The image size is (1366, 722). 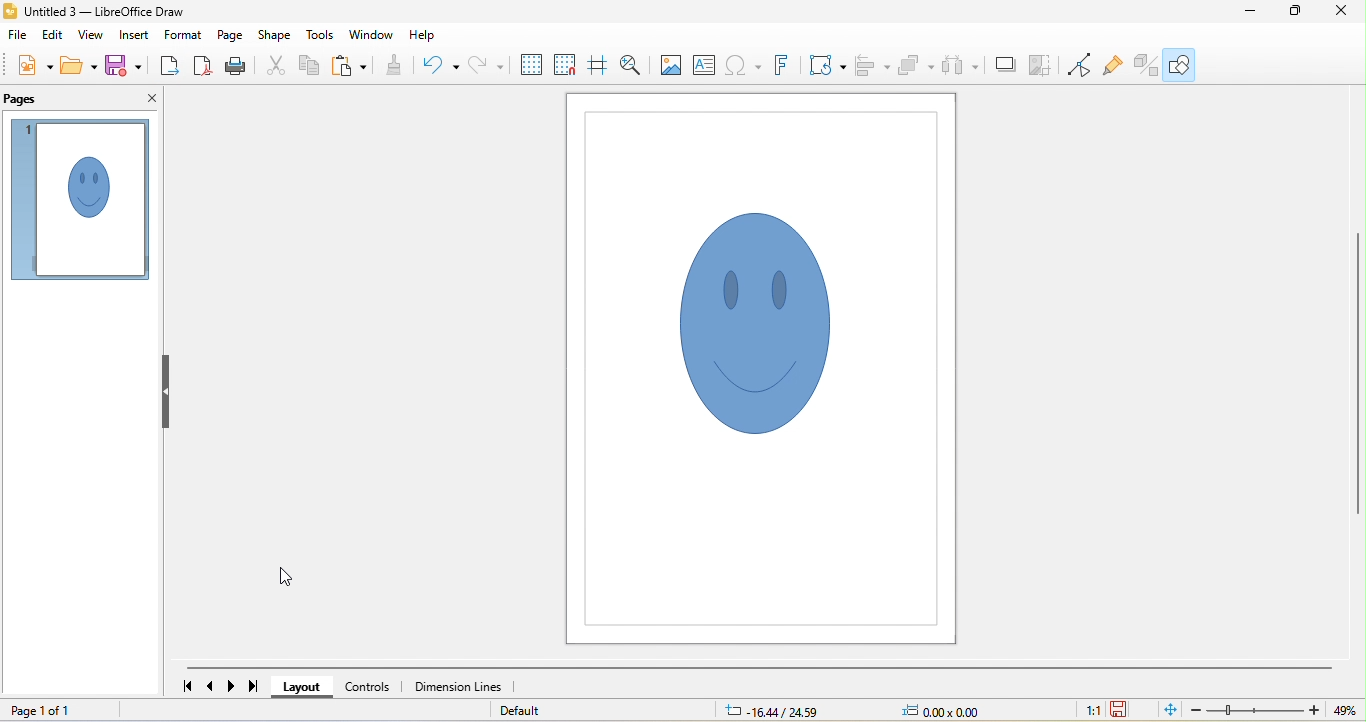 I want to click on align objects, so click(x=872, y=68).